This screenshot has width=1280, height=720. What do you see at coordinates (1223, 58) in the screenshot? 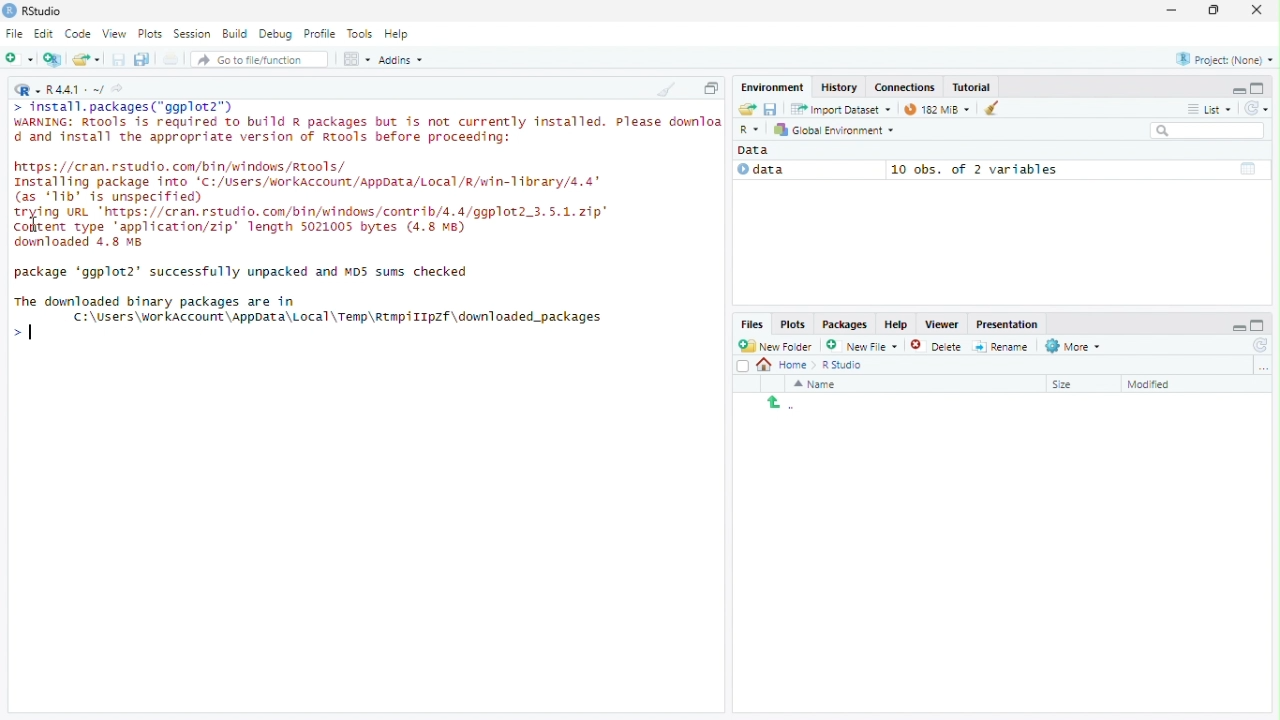
I see `Currently selected project - None` at bounding box center [1223, 58].